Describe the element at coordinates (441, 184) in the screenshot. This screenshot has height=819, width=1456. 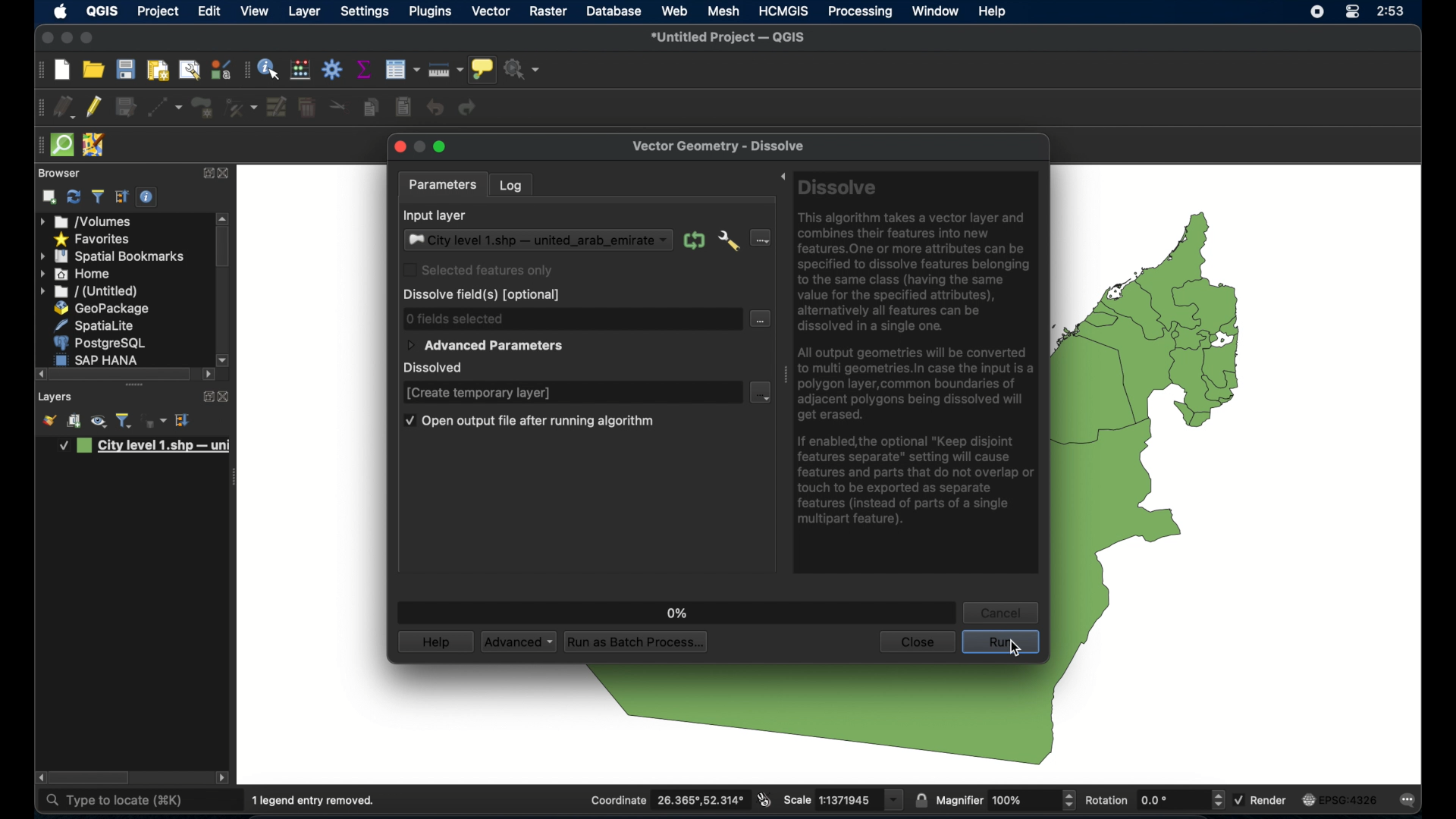
I see `parameters` at that location.